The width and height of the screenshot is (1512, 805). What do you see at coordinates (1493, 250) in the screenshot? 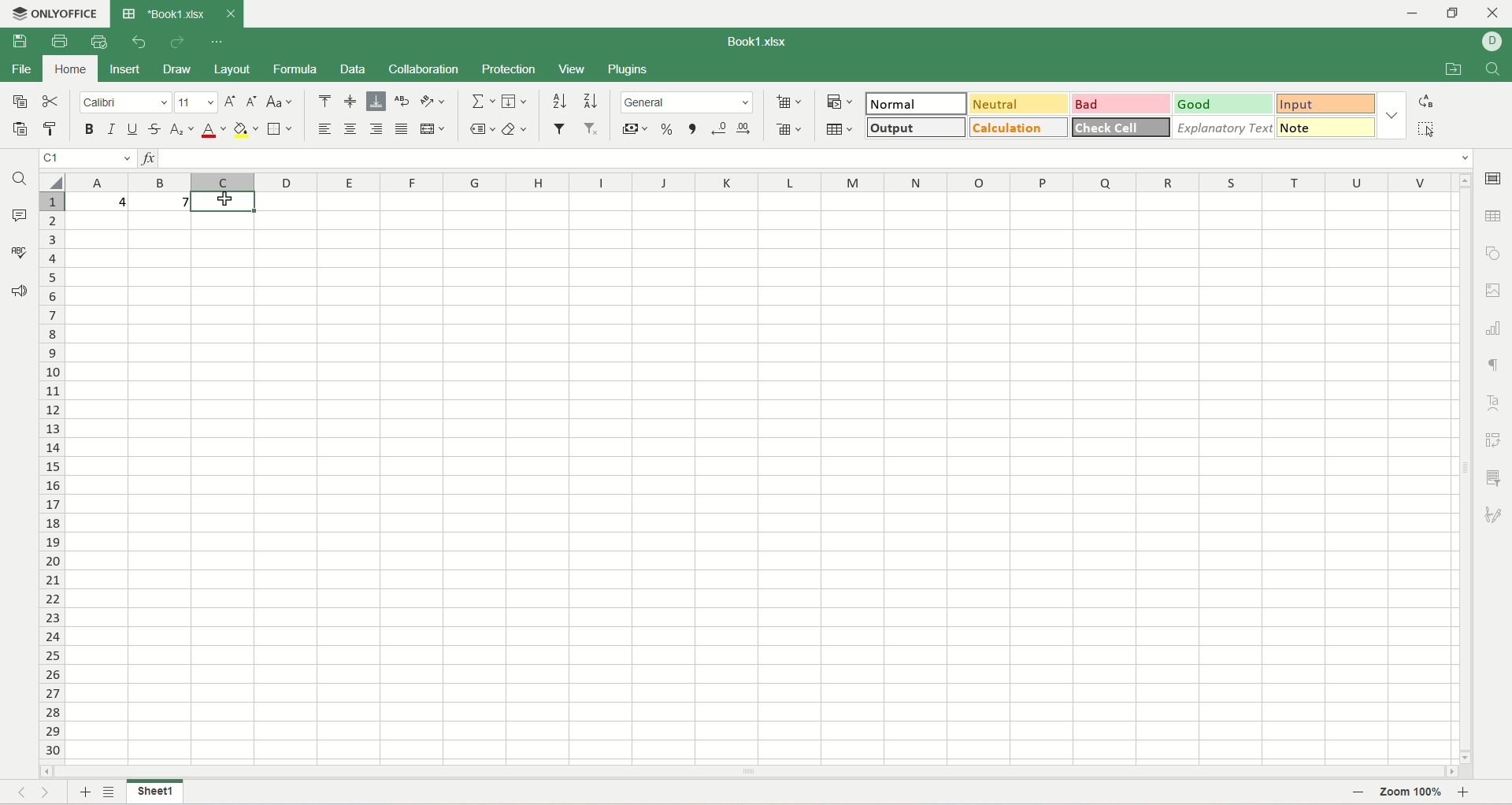
I see `object settings` at bounding box center [1493, 250].